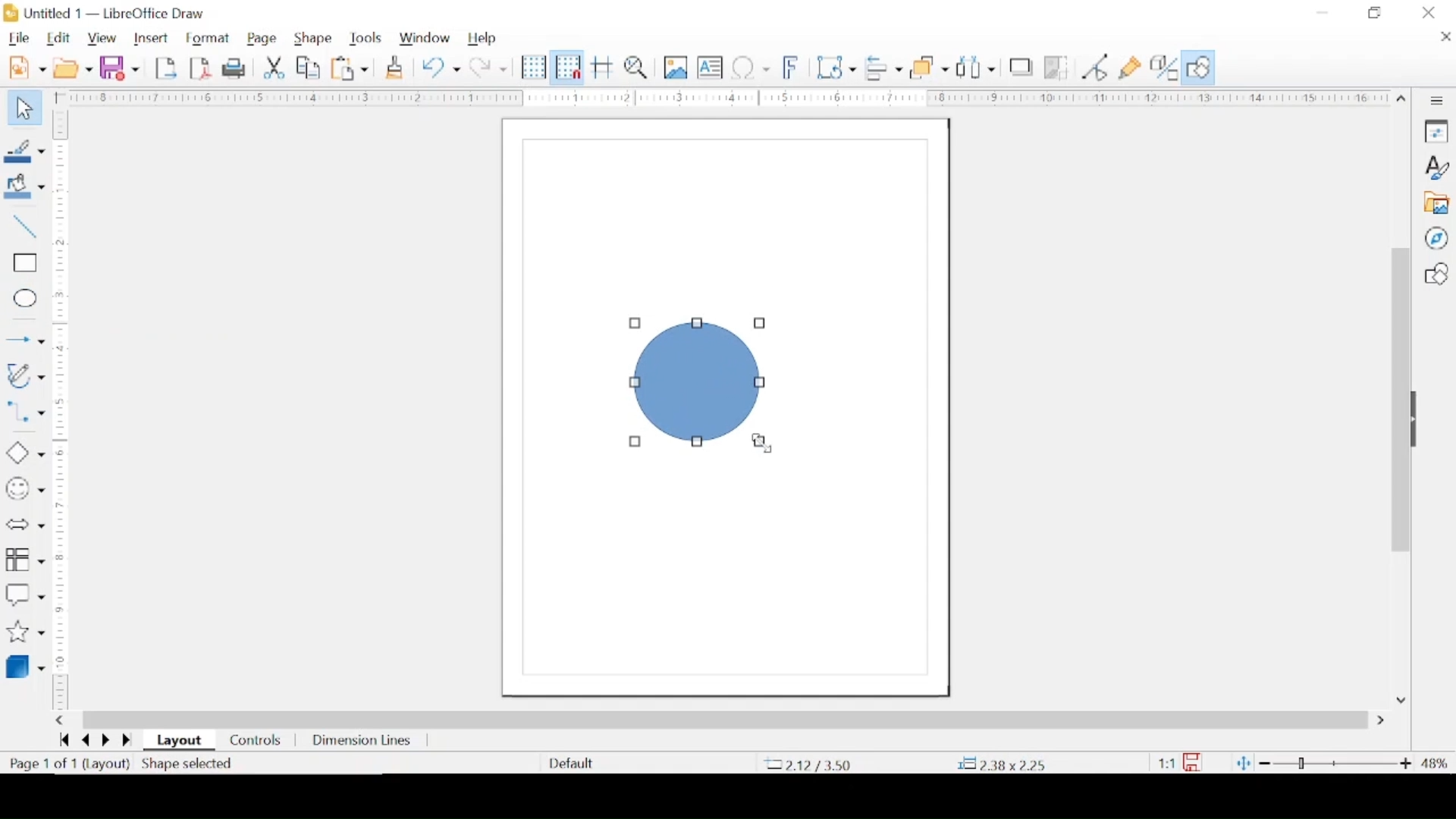 The width and height of the screenshot is (1456, 819). Describe the element at coordinates (1430, 12) in the screenshot. I see `close` at that location.